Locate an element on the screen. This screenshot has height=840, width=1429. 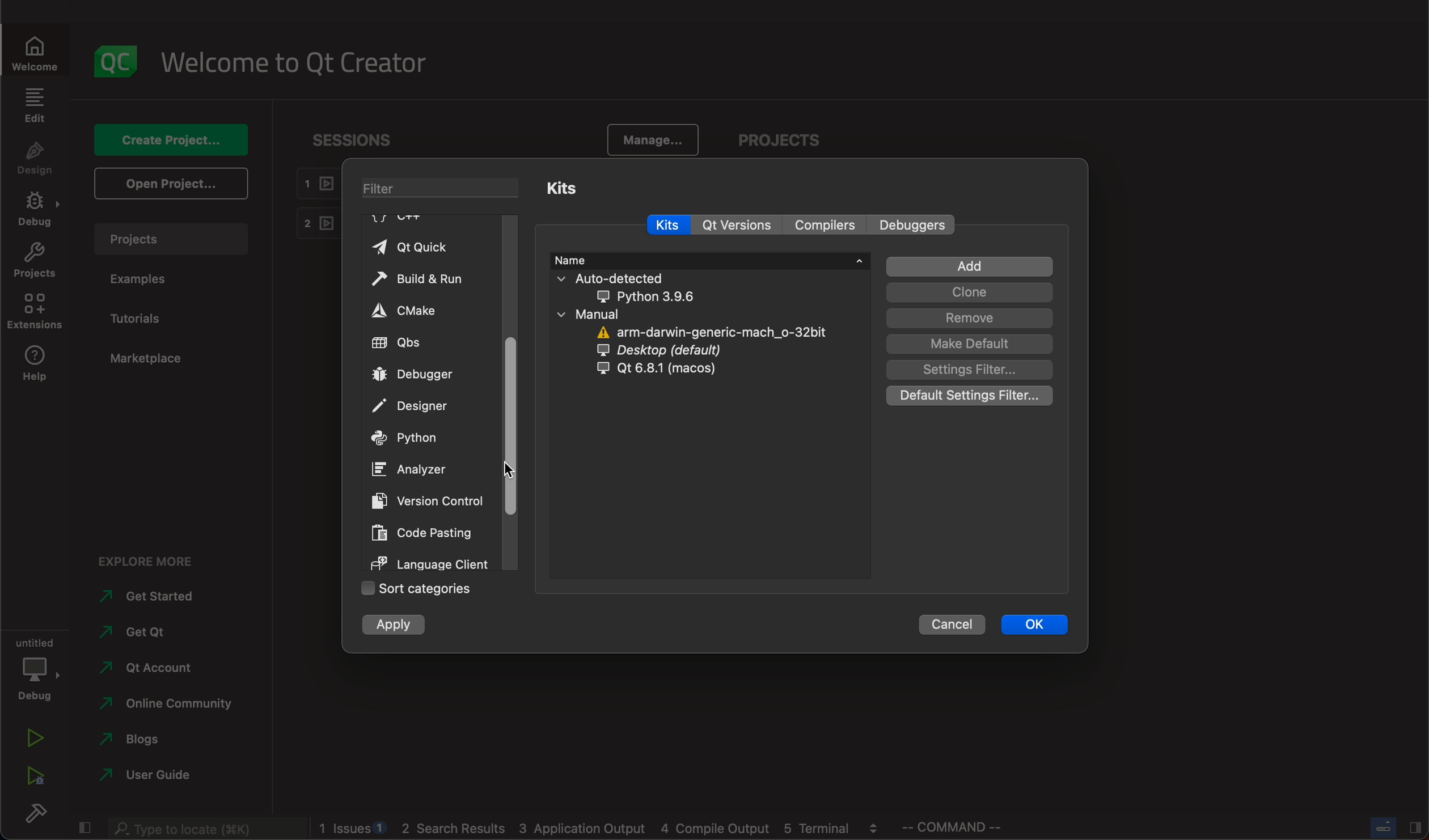
explore is located at coordinates (147, 563).